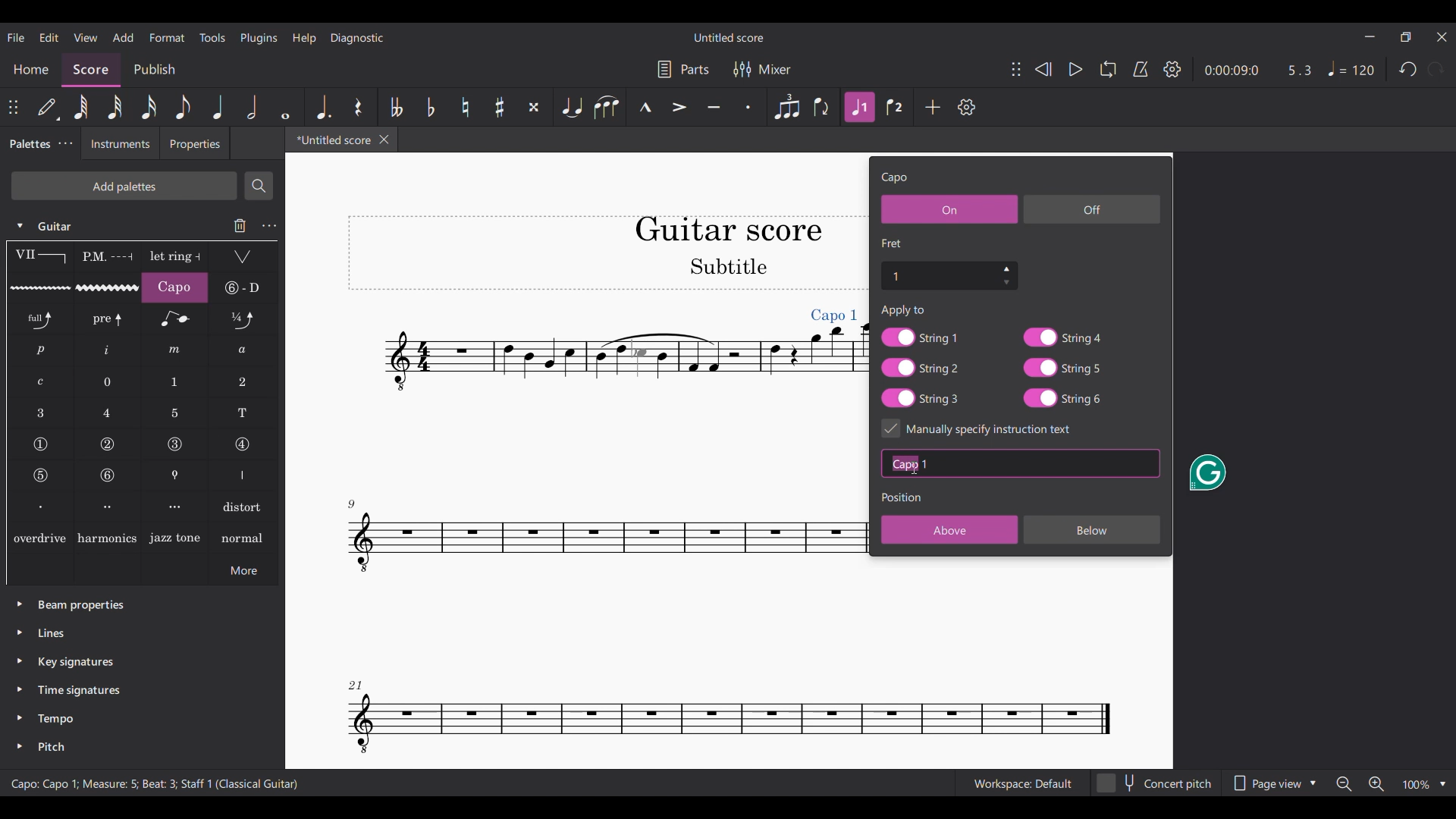 Image resolution: width=1456 pixels, height=819 pixels. What do you see at coordinates (921, 368) in the screenshot?
I see `String 2 toggle` at bounding box center [921, 368].